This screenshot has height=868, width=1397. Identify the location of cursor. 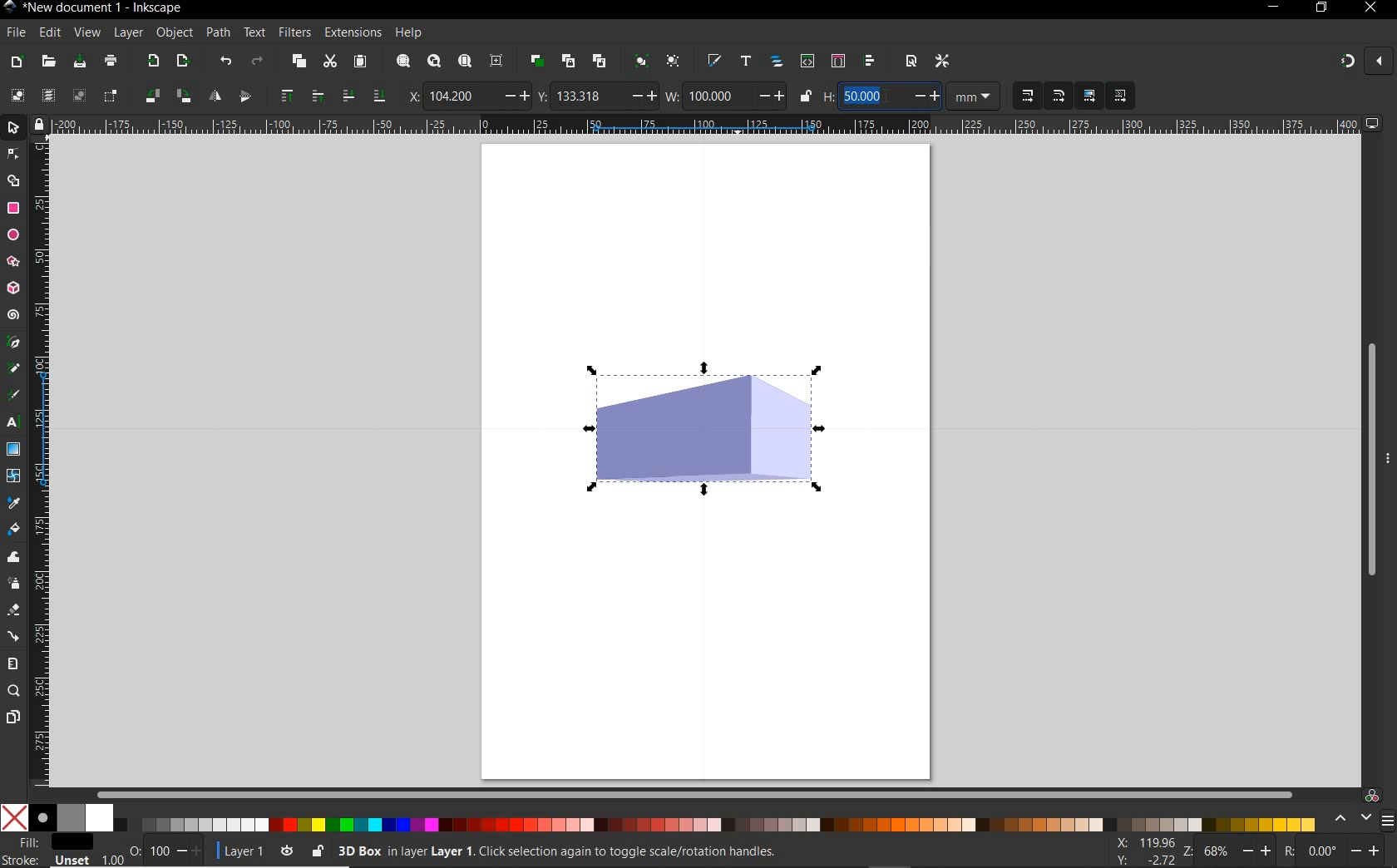
(888, 97).